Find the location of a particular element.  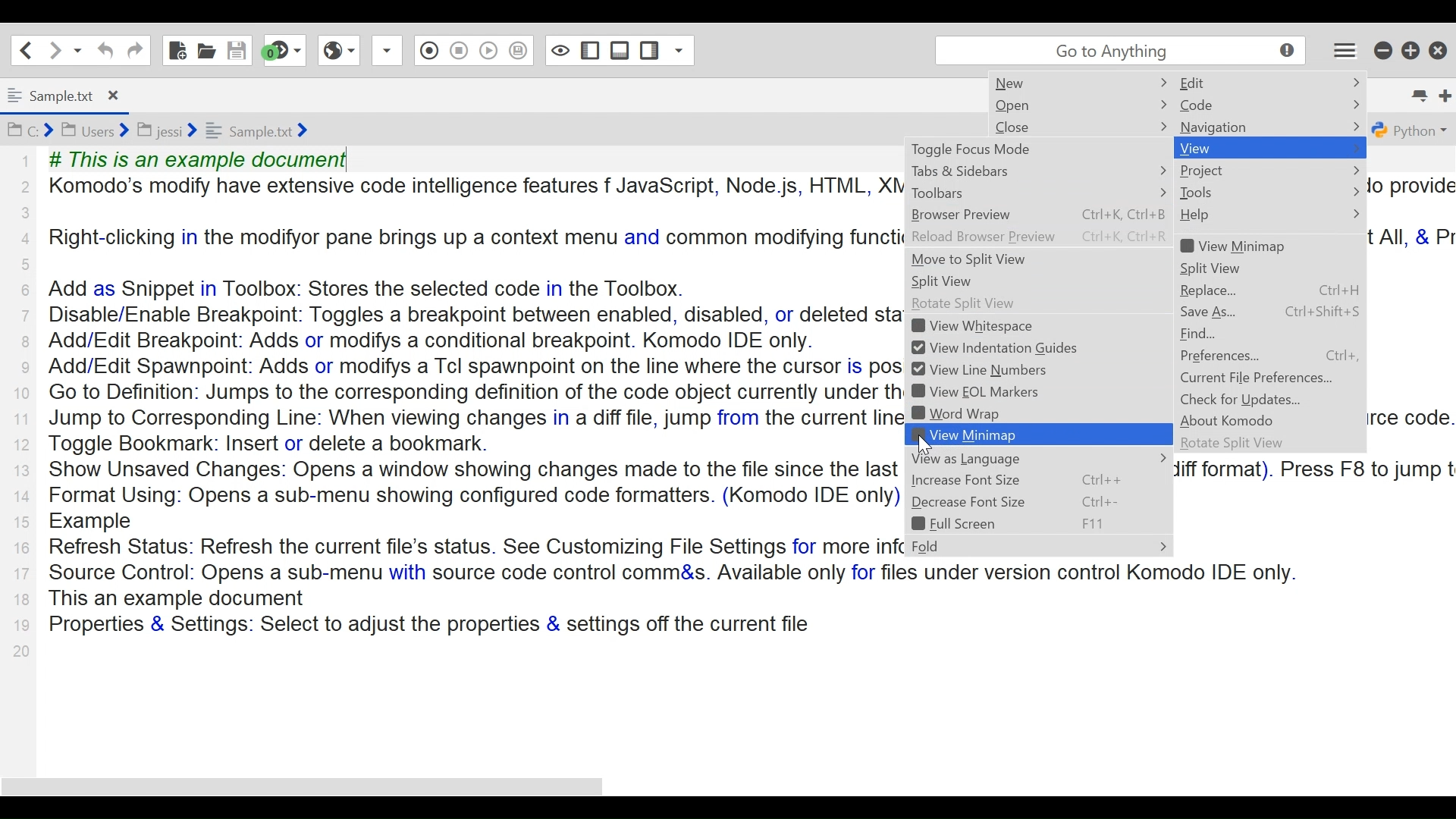

minimize is located at coordinates (1382, 50).